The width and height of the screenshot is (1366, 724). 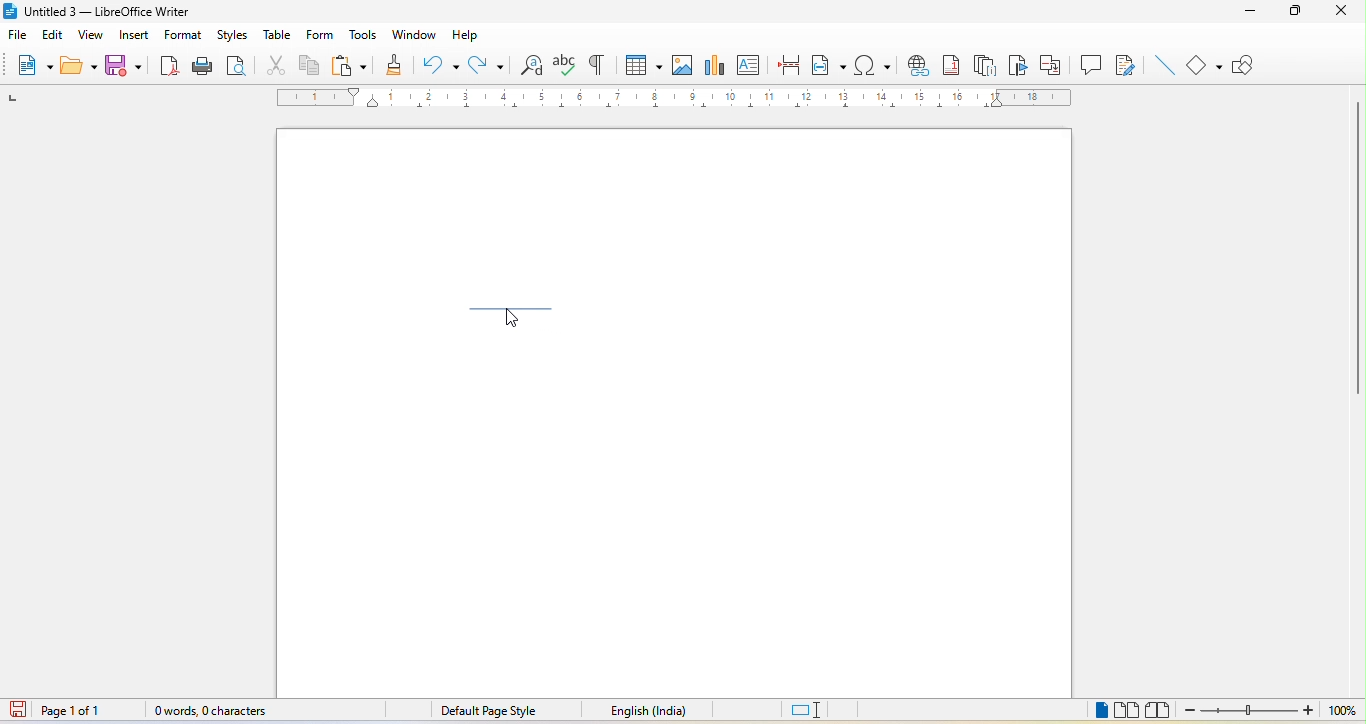 What do you see at coordinates (439, 62) in the screenshot?
I see `undo` at bounding box center [439, 62].